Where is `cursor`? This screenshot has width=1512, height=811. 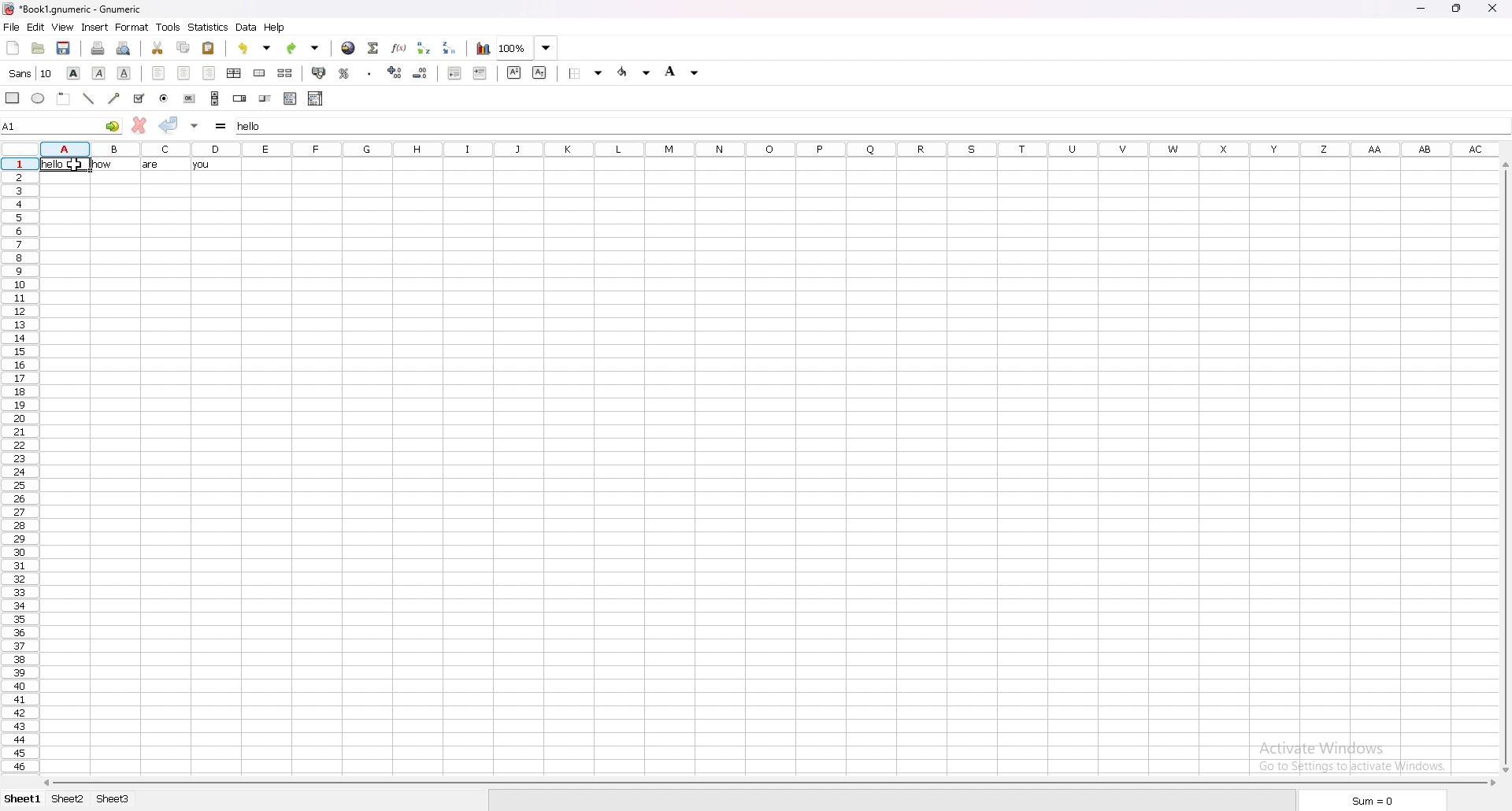 cursor is located at coordinates (76, 165).